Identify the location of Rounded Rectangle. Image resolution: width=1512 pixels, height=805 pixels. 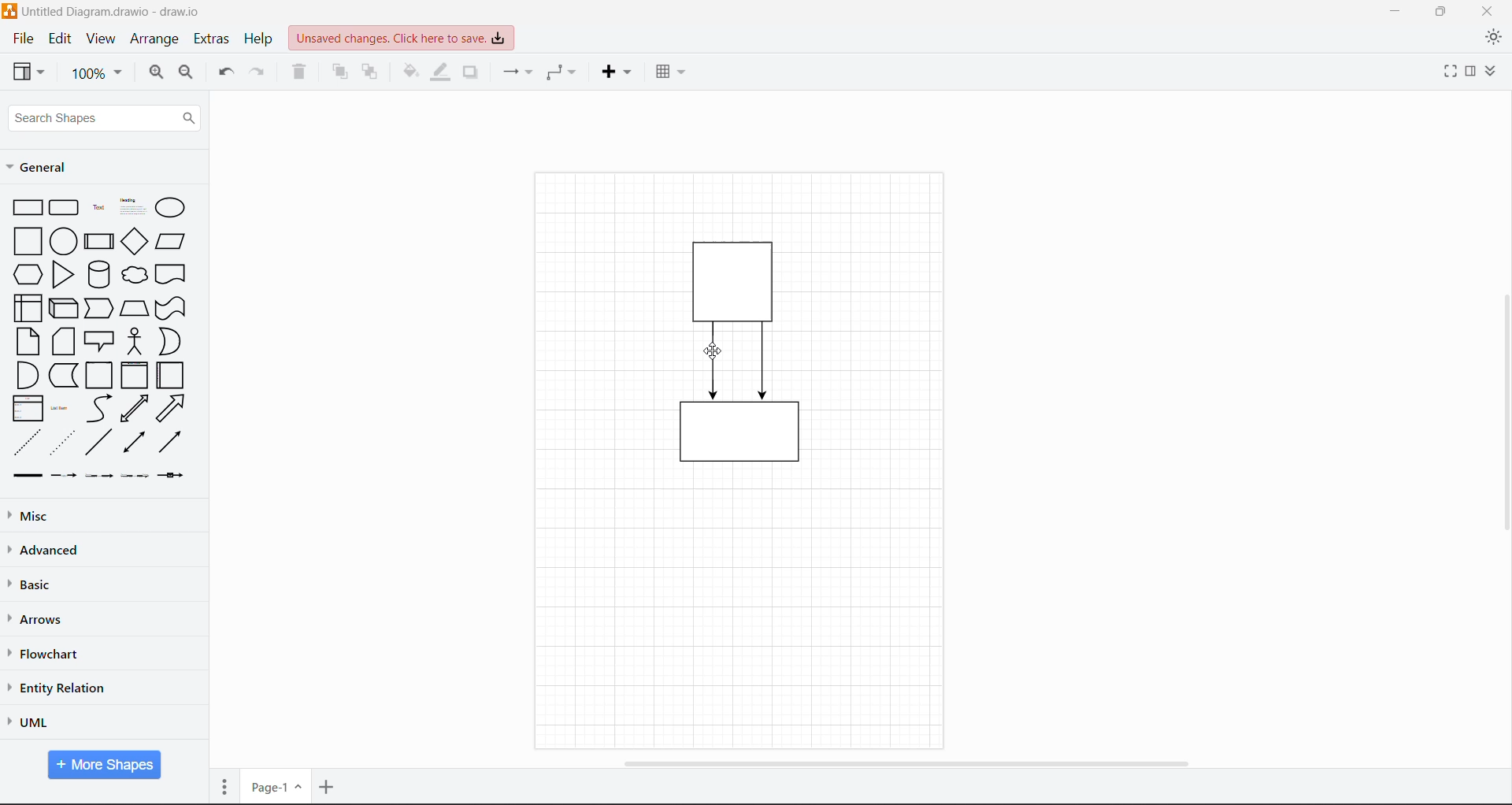
(65, 206).